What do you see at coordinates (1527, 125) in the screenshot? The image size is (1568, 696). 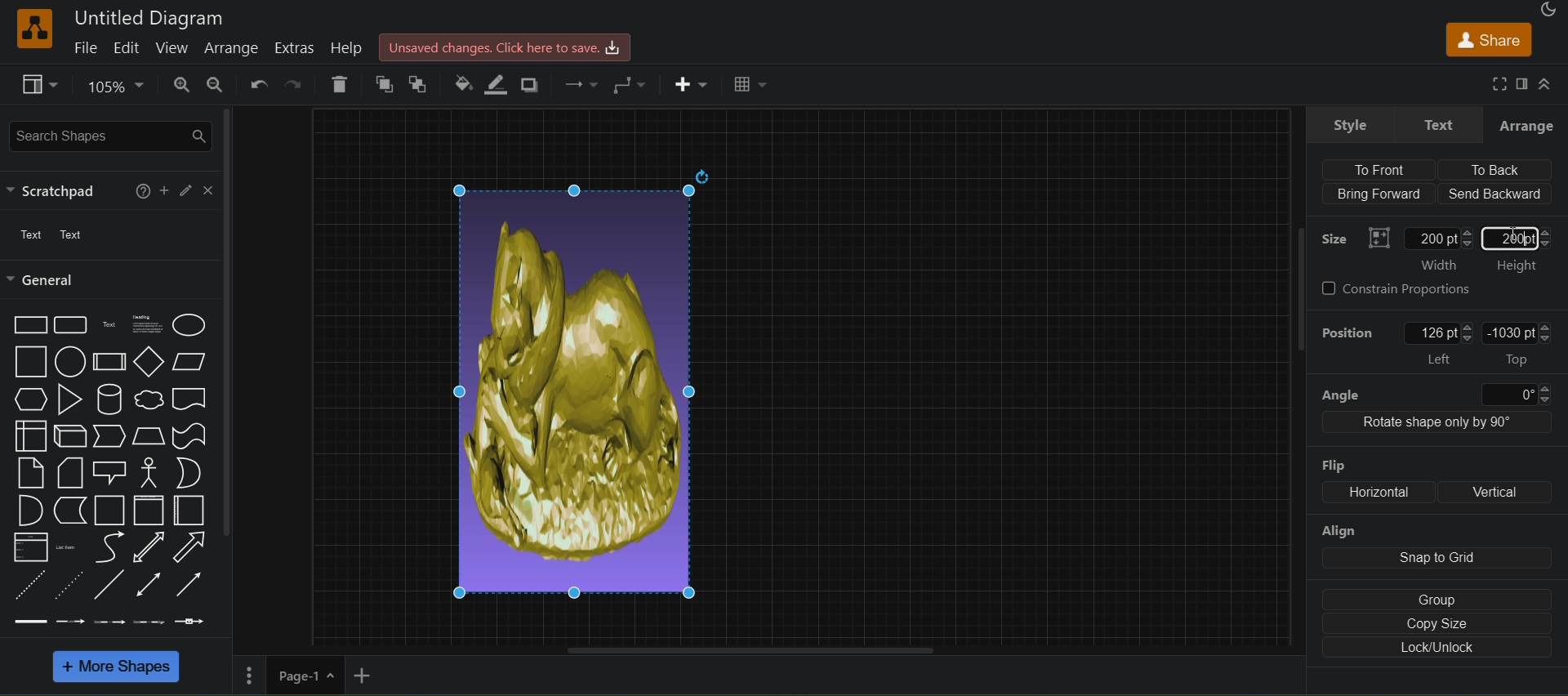 I see `Arrange` at bounding box center [1527, 125].